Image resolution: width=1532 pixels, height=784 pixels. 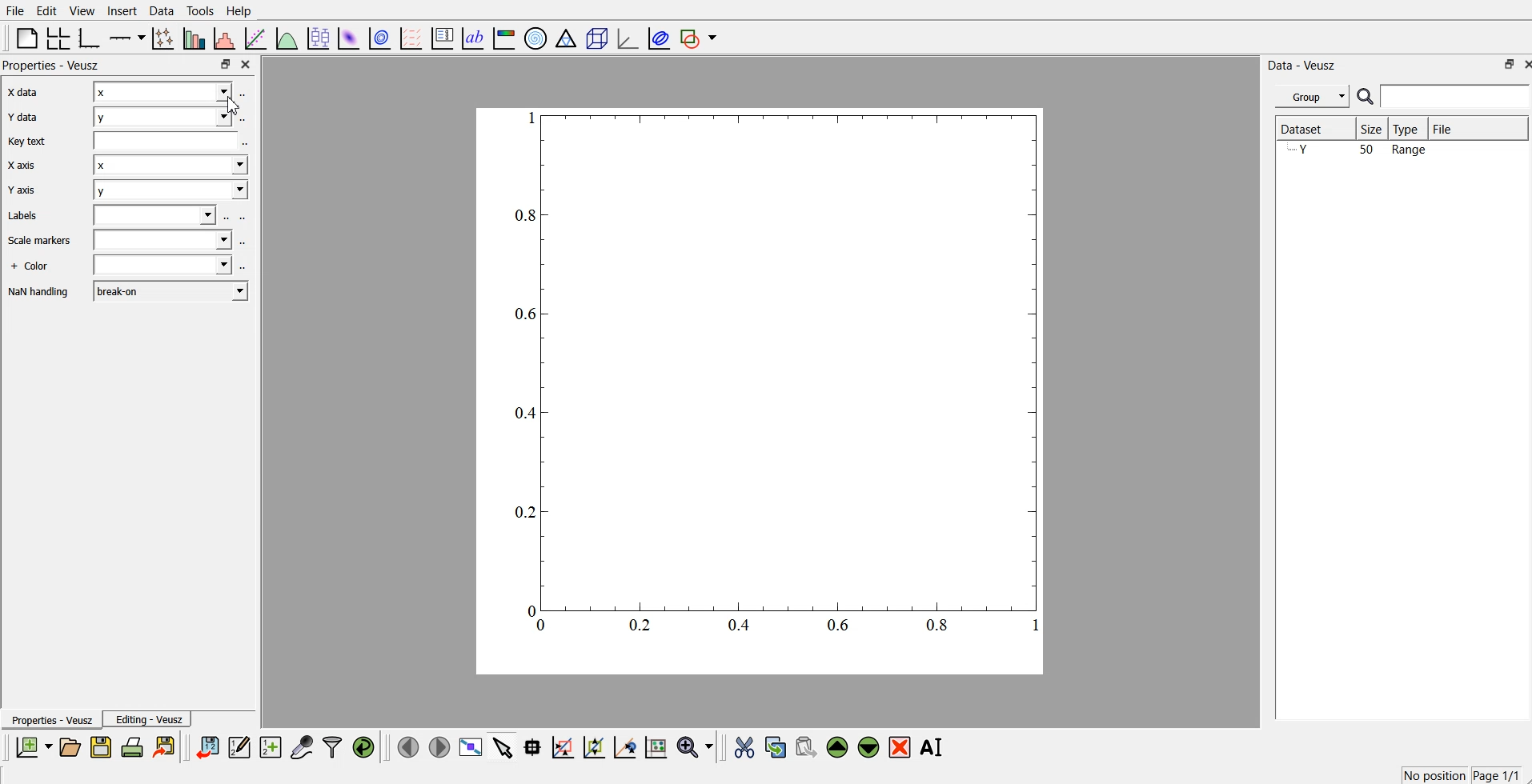 I want to click on  y, so click(x=171, y=192).